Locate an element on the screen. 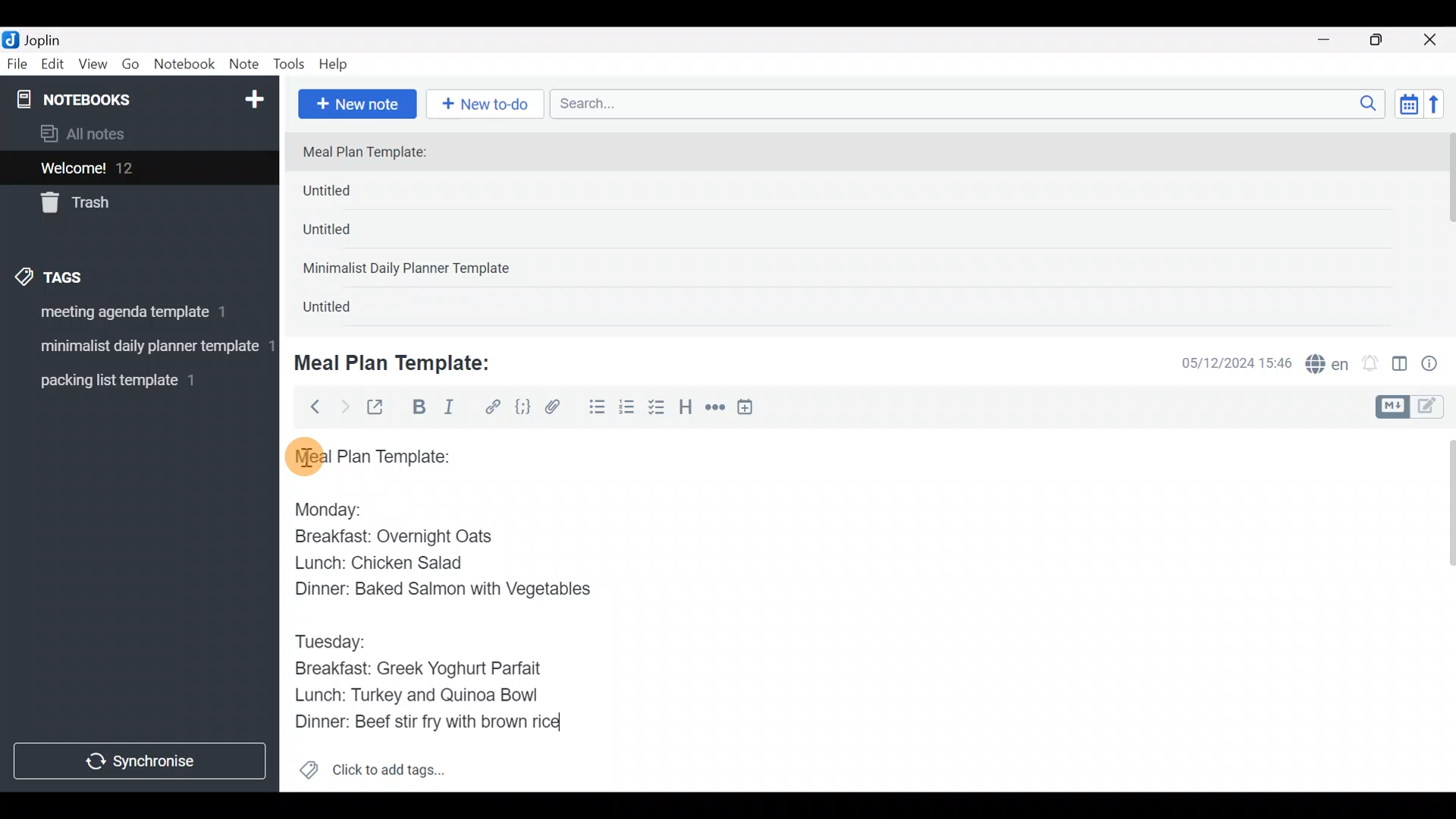 This screenshot has width=1456, height=819. Bold is located at coordinates (418, 409).